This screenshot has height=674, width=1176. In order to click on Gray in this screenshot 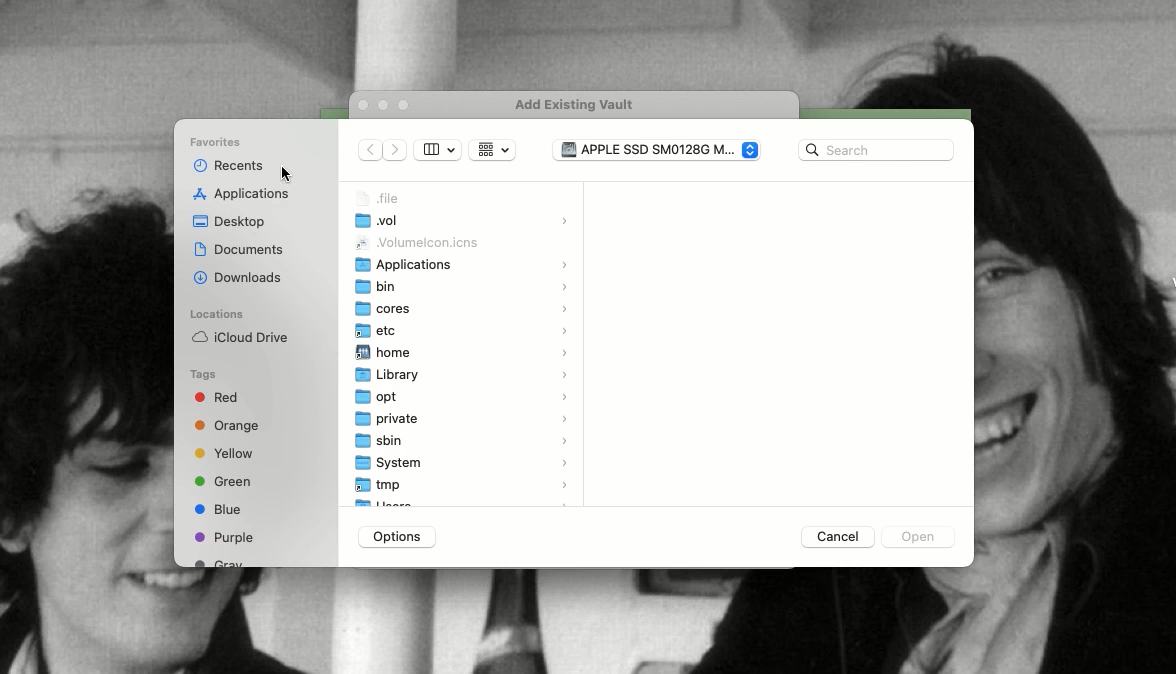, I will do `click(221, 562)`.